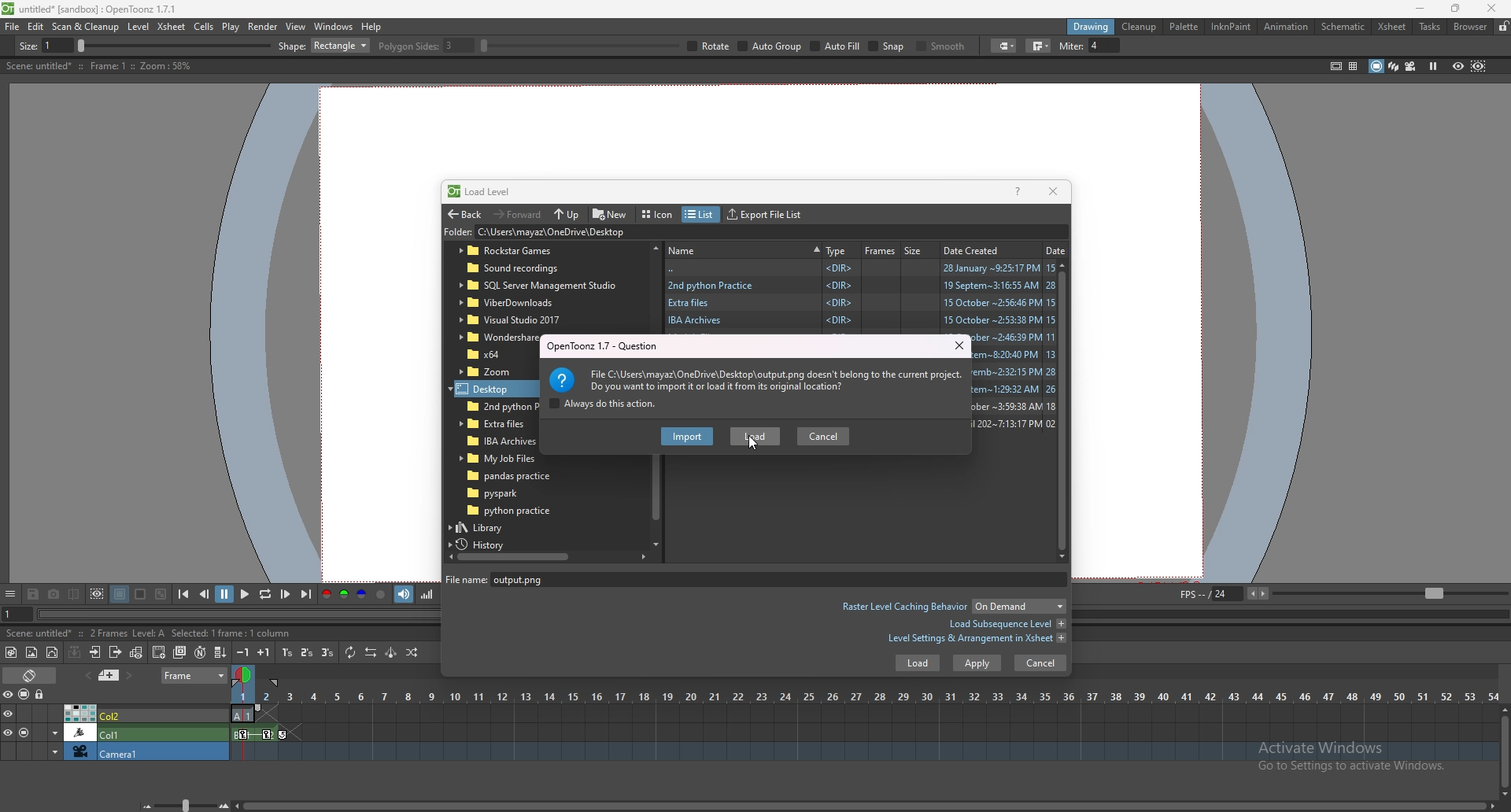 This screenshot has height=812, width=1511. Describe the element at coordinates (508, 493) in the screenshot. I see `folder` at that location.